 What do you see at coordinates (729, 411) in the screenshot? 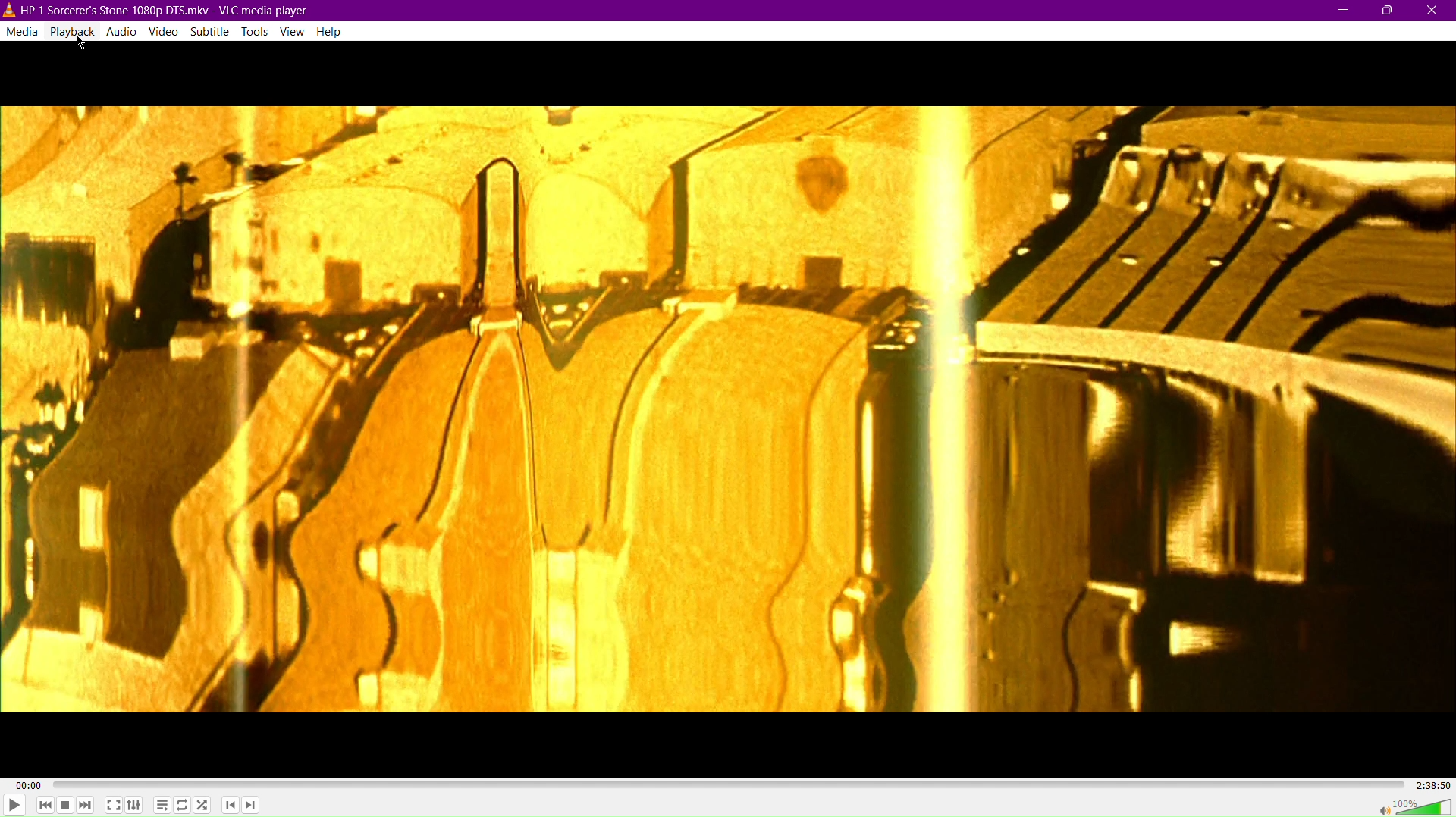
I see `Video` at bounding box center [729, 411].